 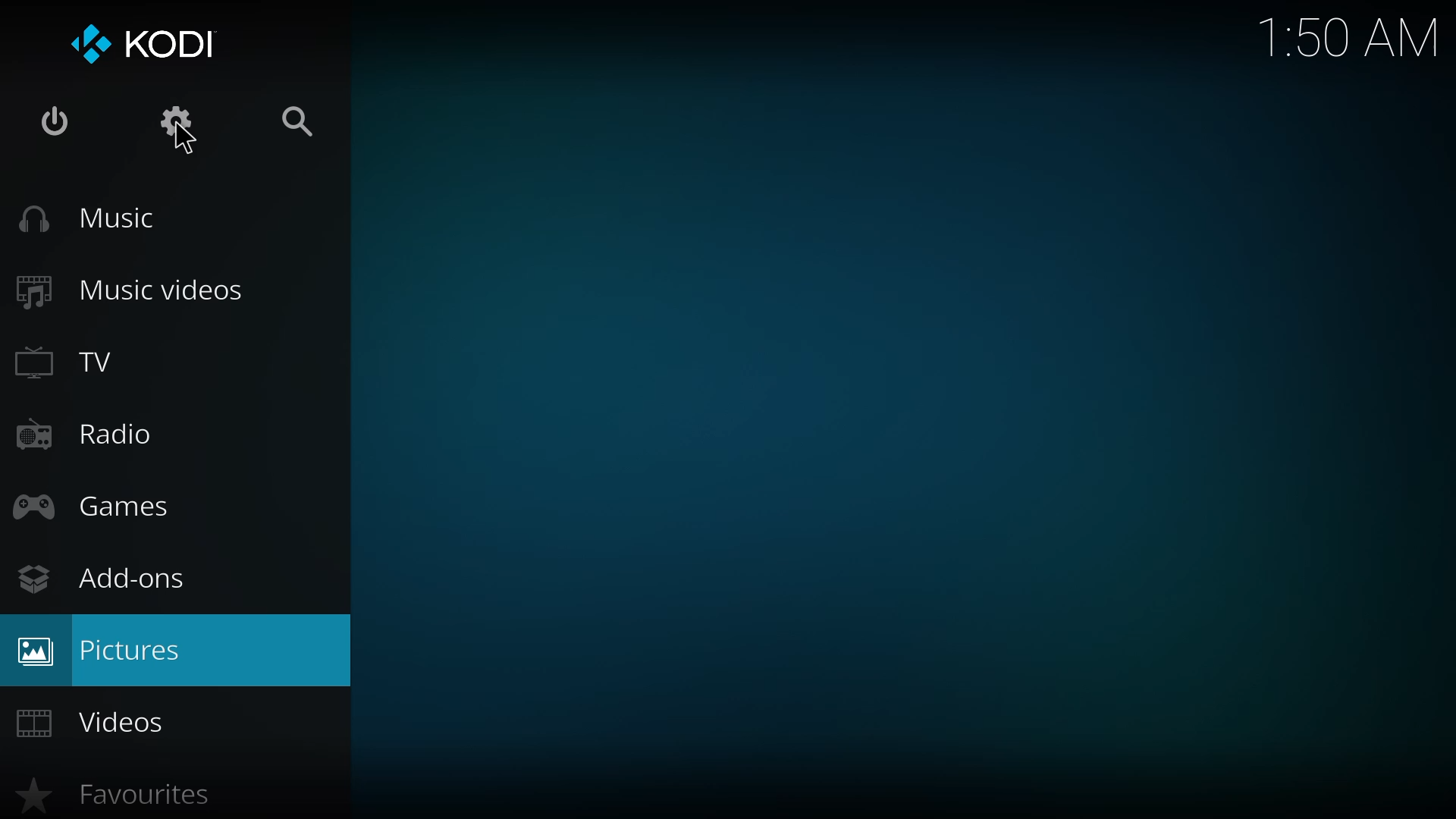 What do you see at coordinates (50, 121) in the screenshot?
I see `power` at bounding box center [50, 121].